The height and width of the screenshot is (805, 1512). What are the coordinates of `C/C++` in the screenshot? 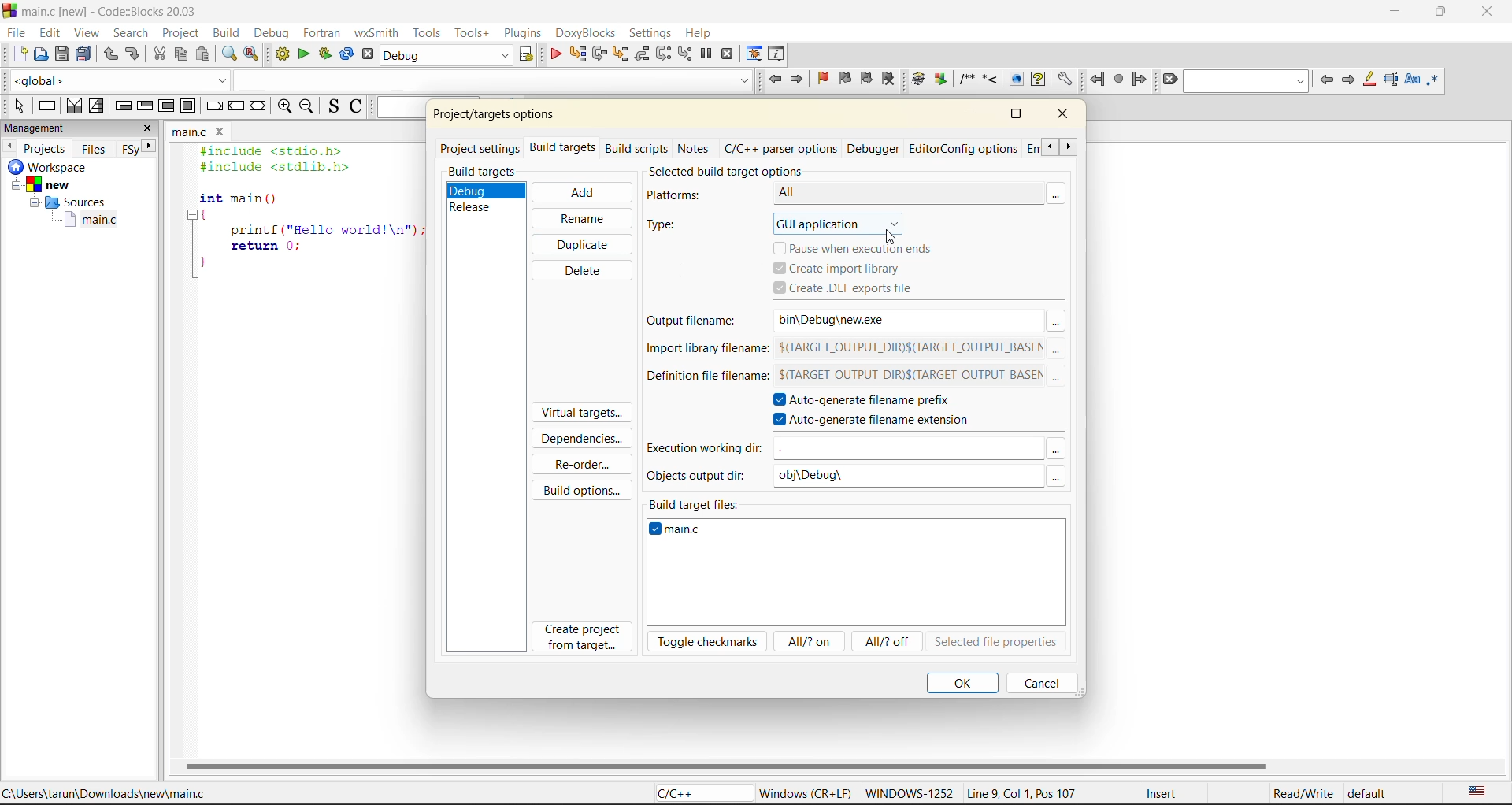 It's located at (695, 793).